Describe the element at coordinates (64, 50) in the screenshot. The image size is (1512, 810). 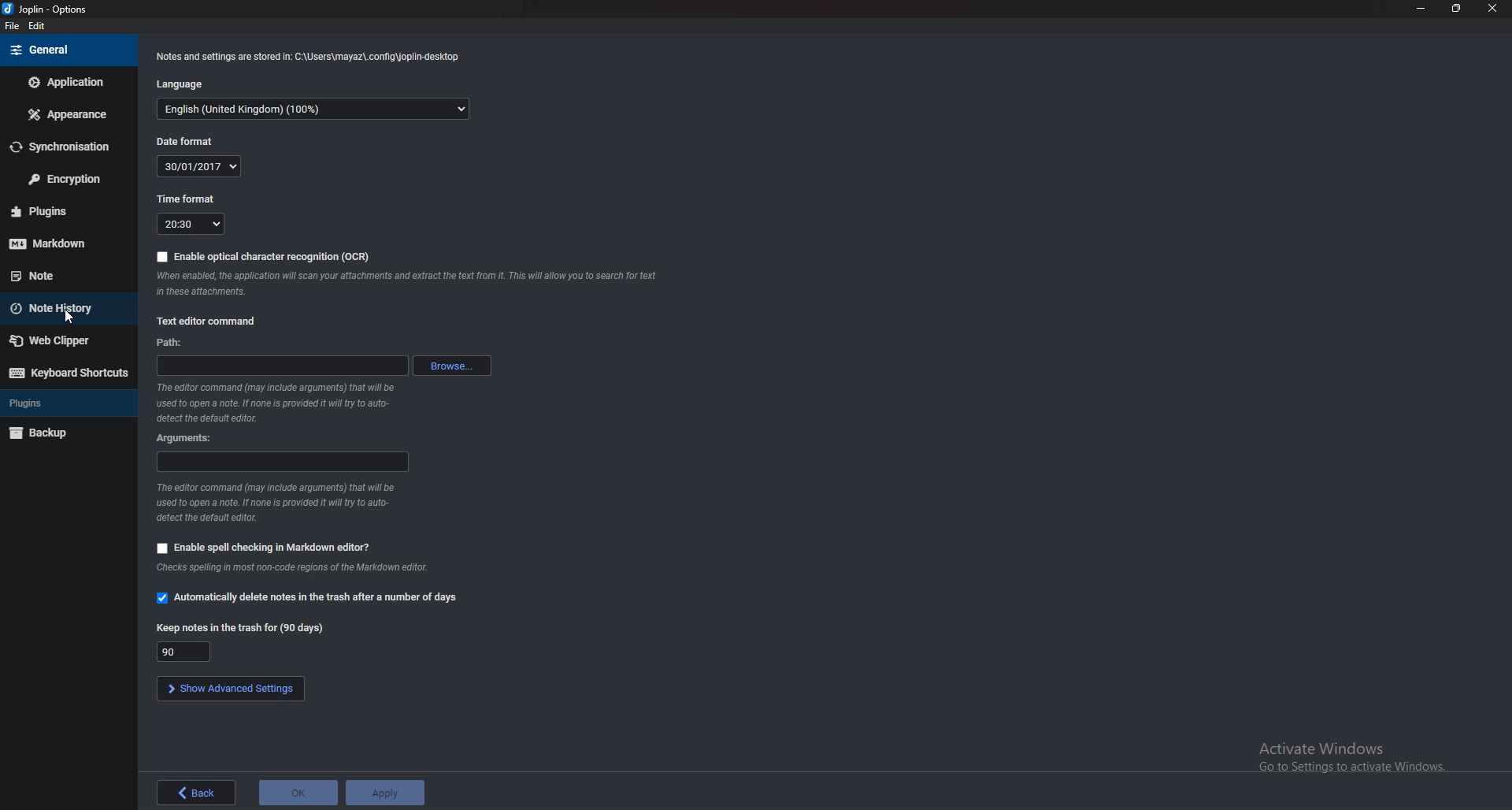
I see `General` at that location.